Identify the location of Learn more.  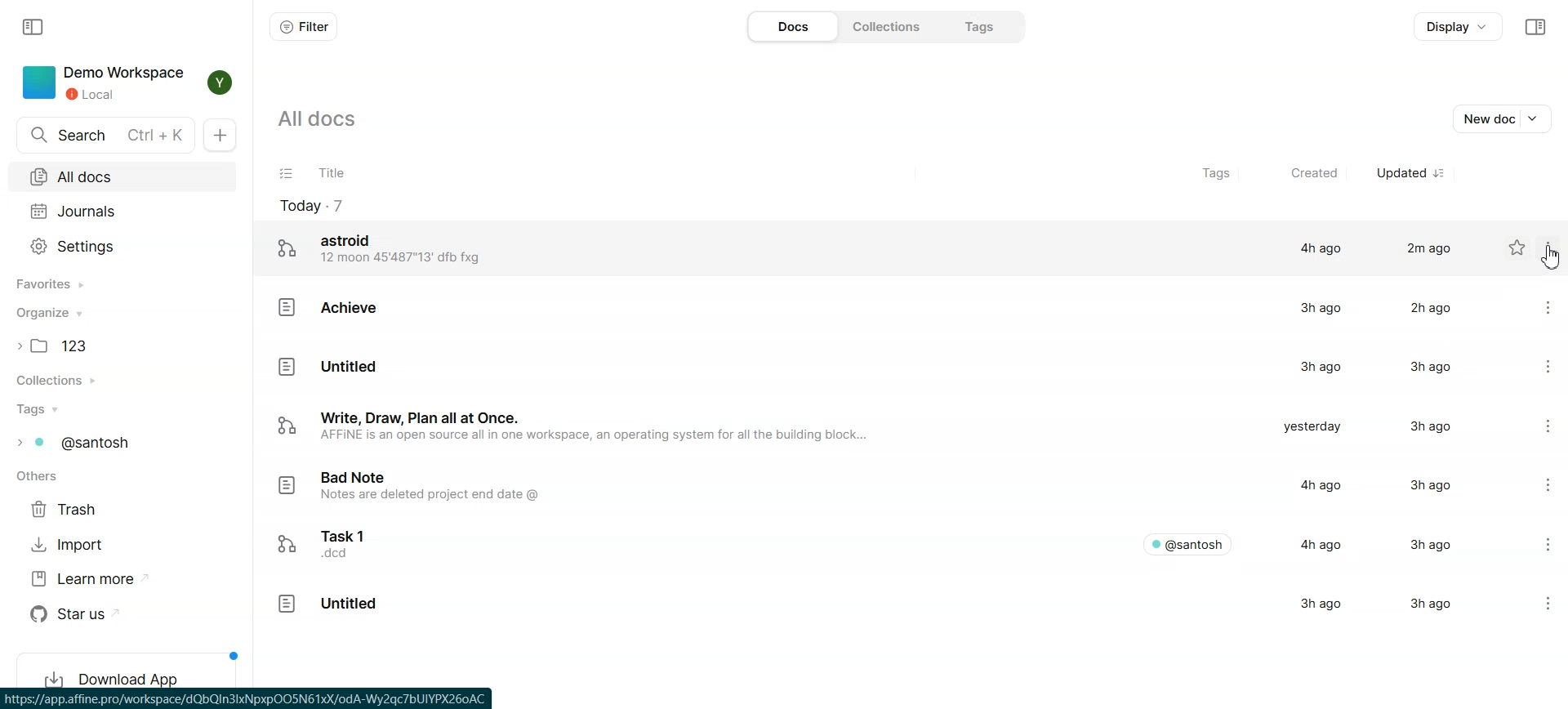
(81, 578).